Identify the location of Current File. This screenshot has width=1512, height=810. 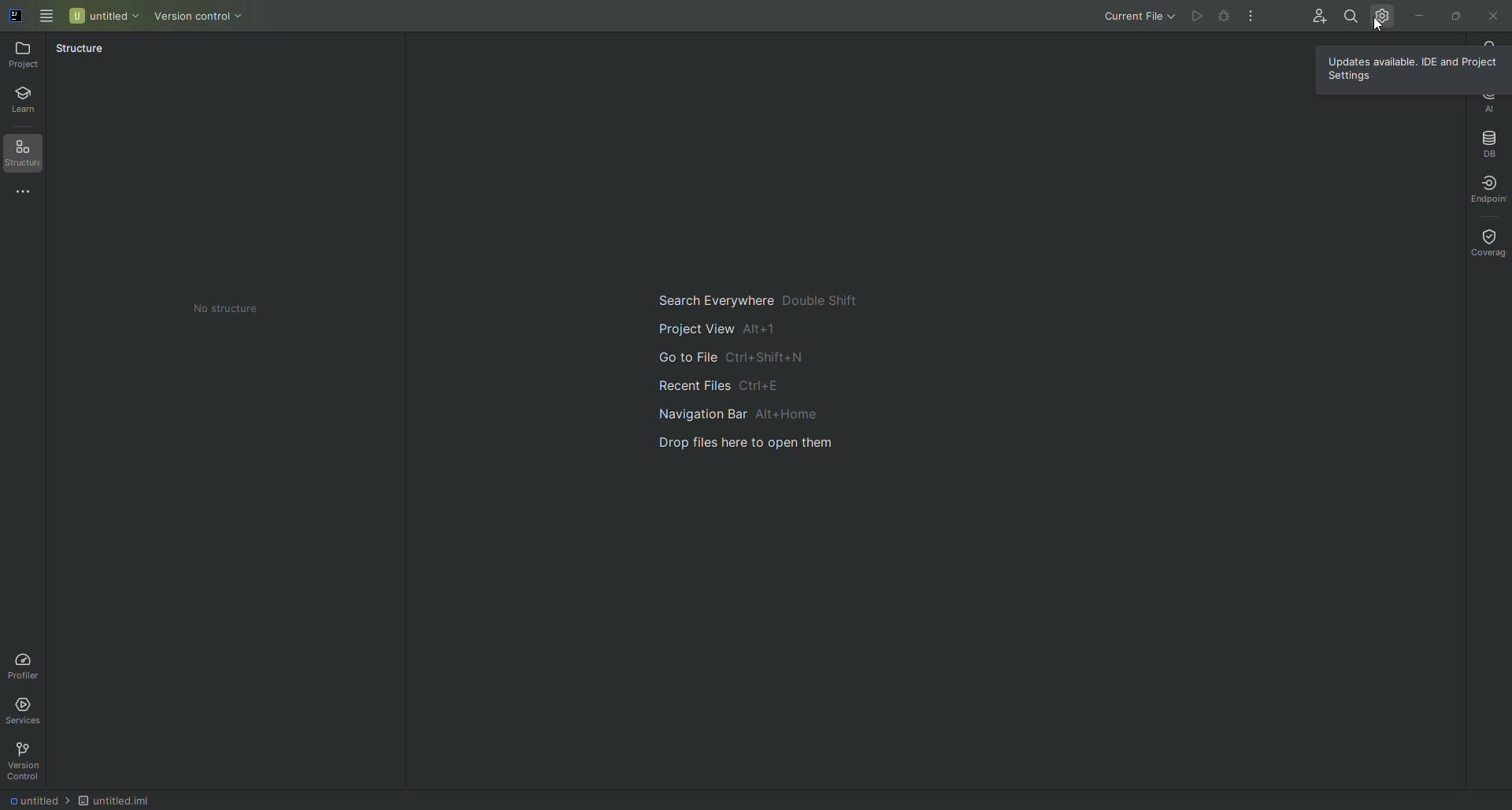
(1125, 17).